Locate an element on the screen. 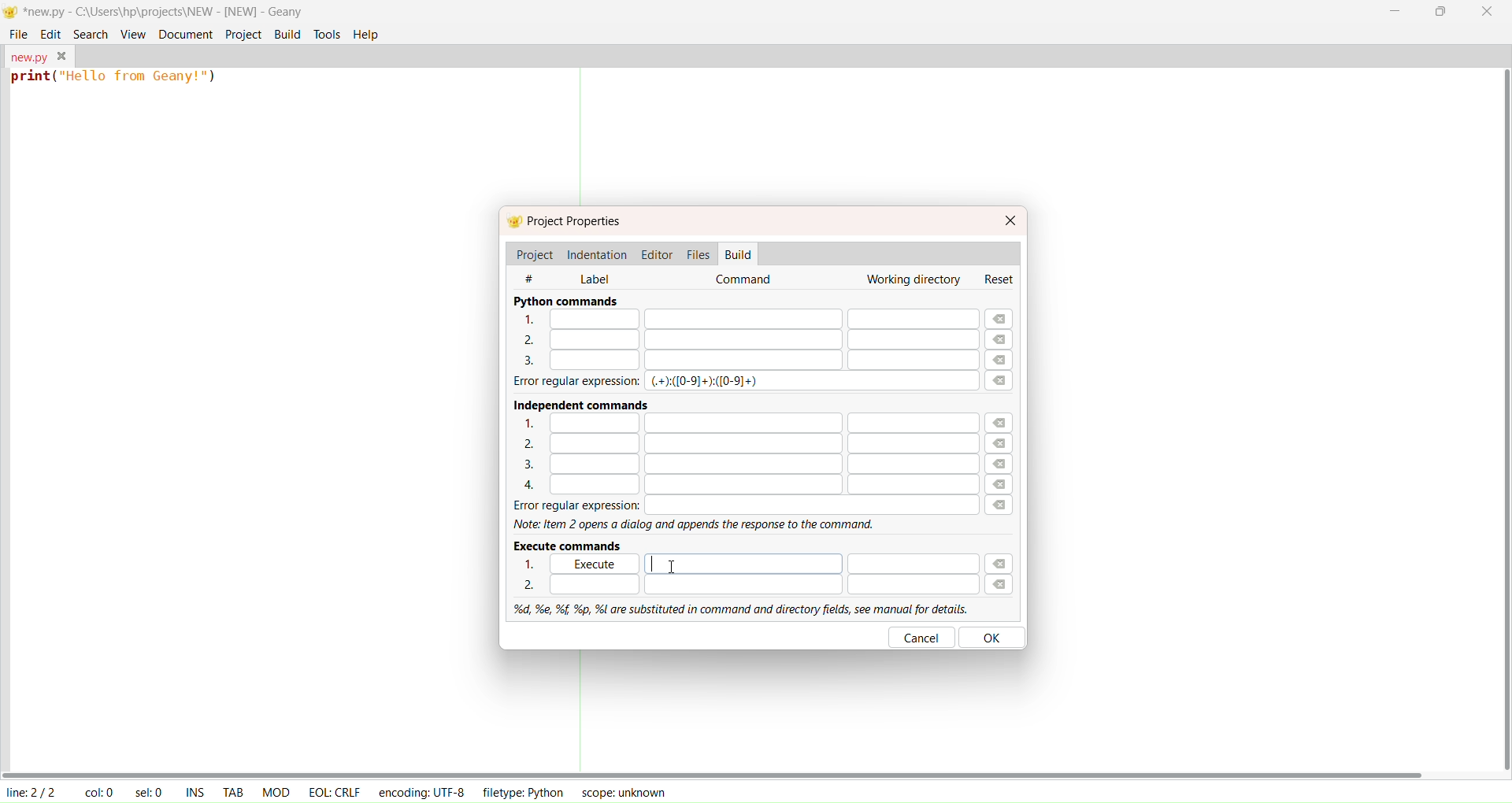 The width and height of the screenshot is (1512, 803). close tab is located at coordinates (62, 56).